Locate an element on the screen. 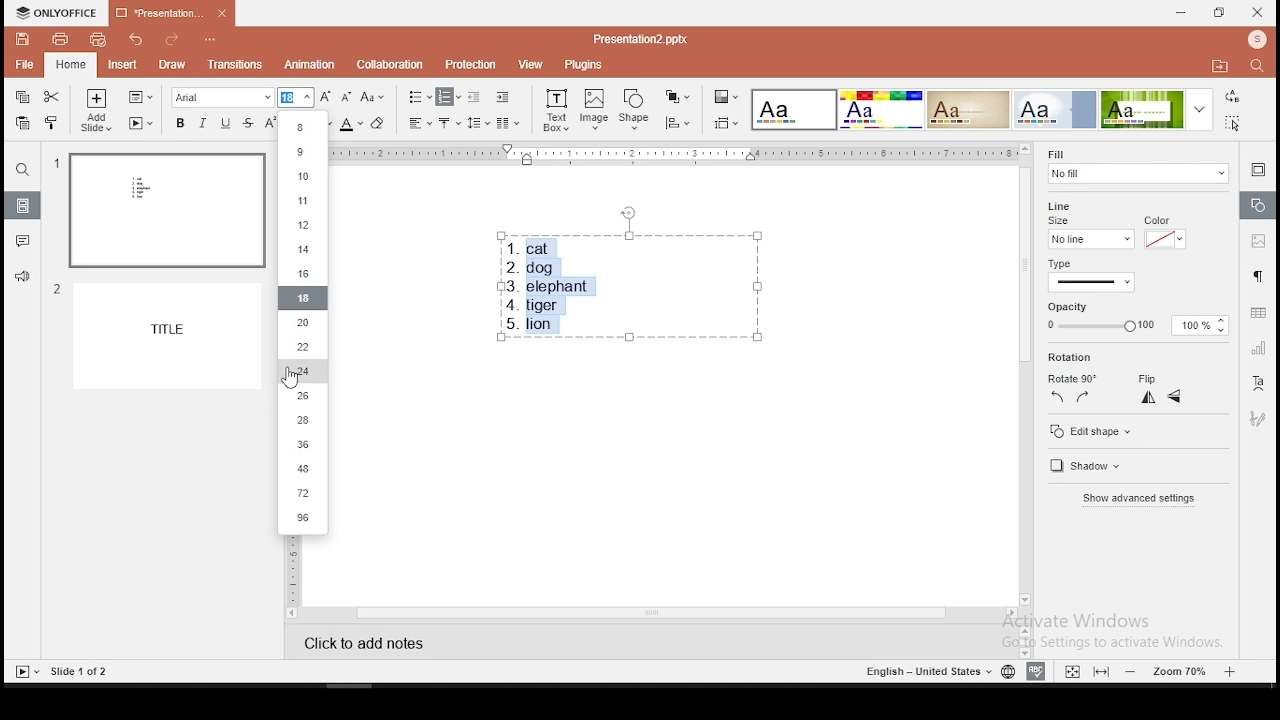  paragraph settings is located at coordinates (1257, 276).